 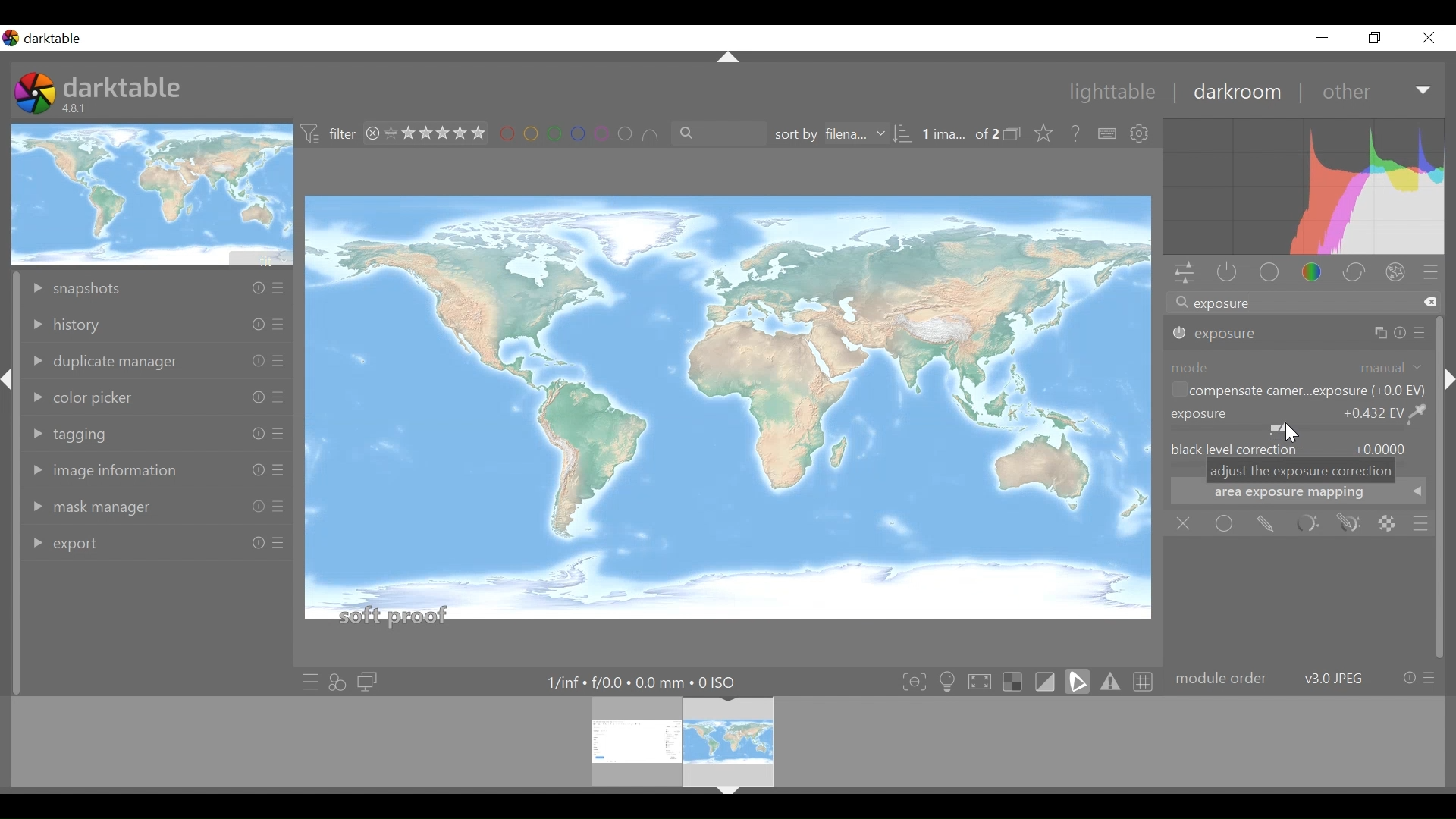 I want to click on history, so click(x=79, y=325).